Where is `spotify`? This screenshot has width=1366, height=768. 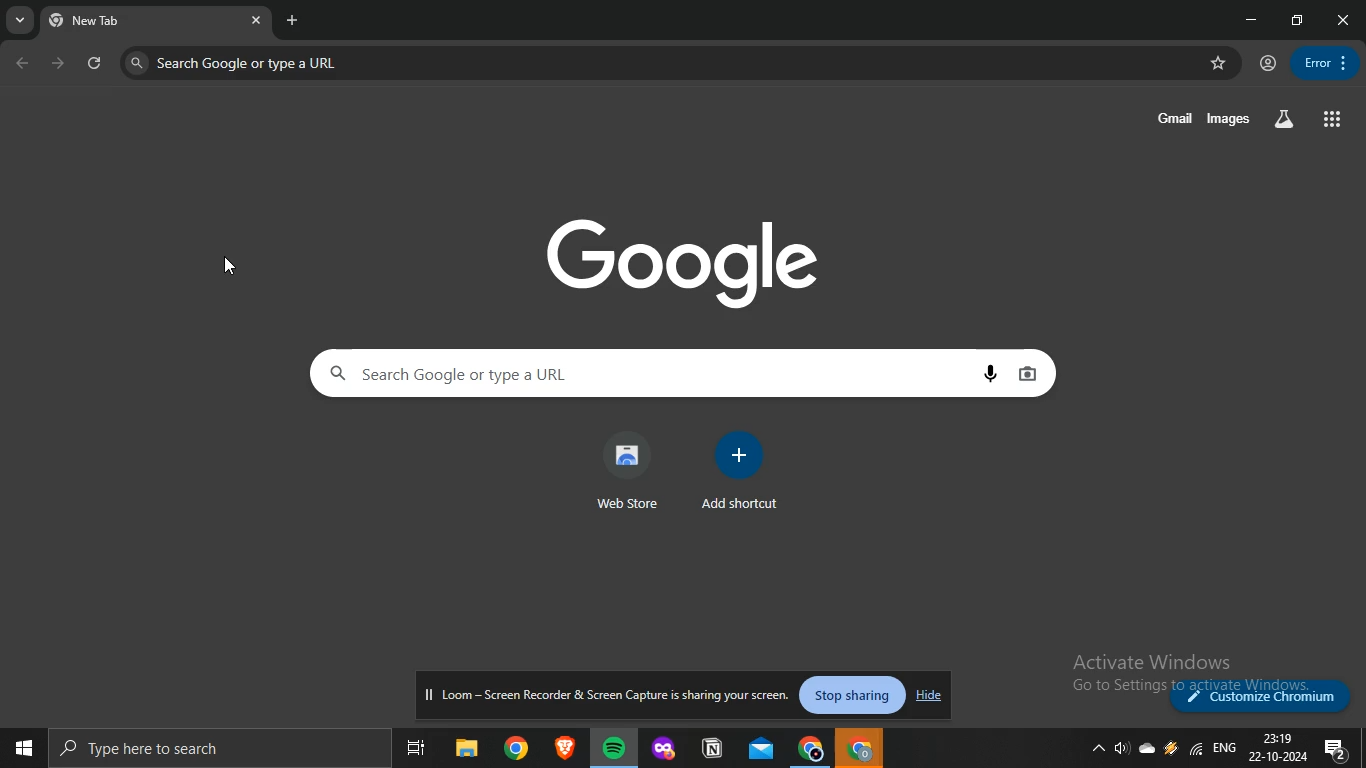
spotify is located at coordinates (613, 748).